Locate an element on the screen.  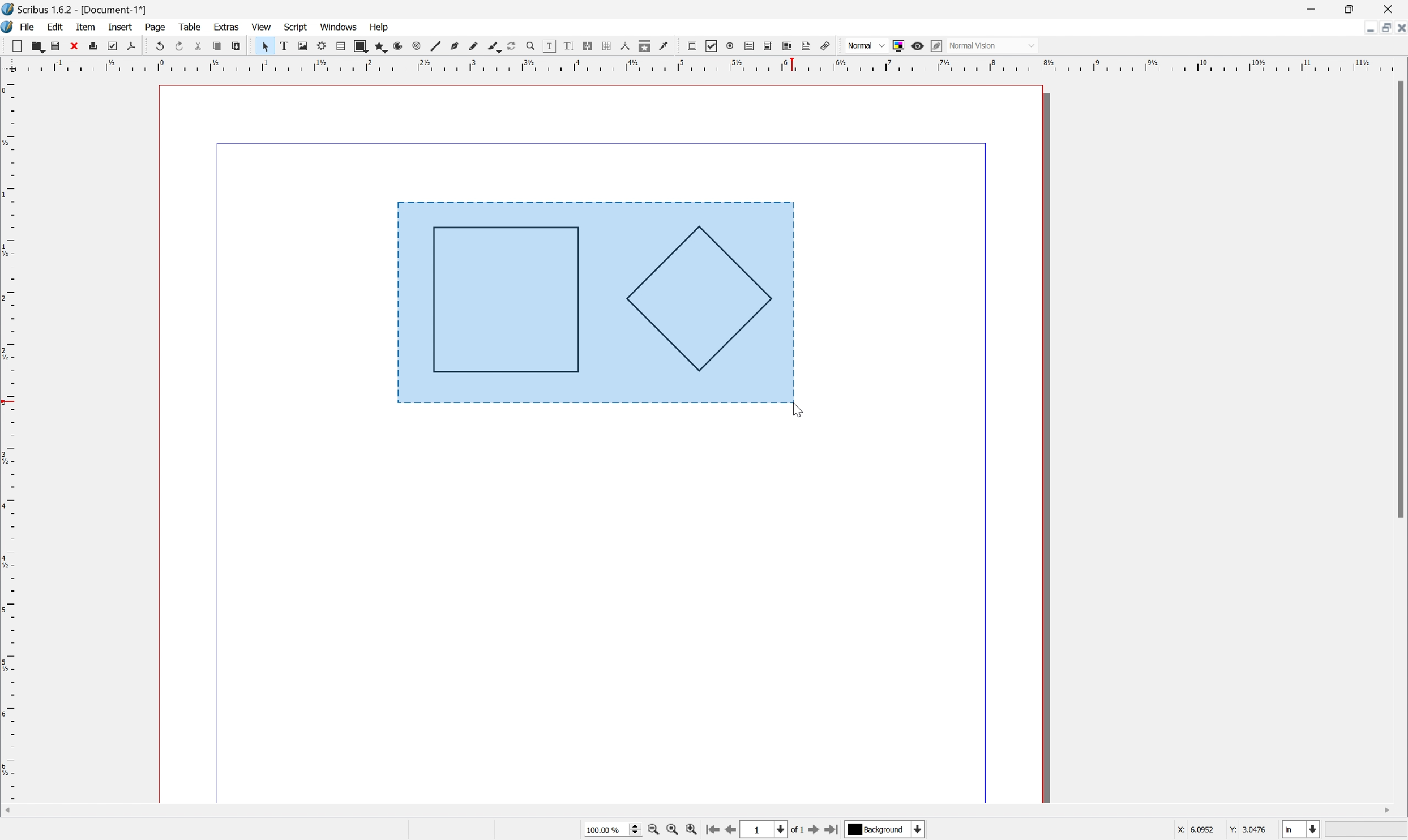
help is located at coordinates (381, 28).